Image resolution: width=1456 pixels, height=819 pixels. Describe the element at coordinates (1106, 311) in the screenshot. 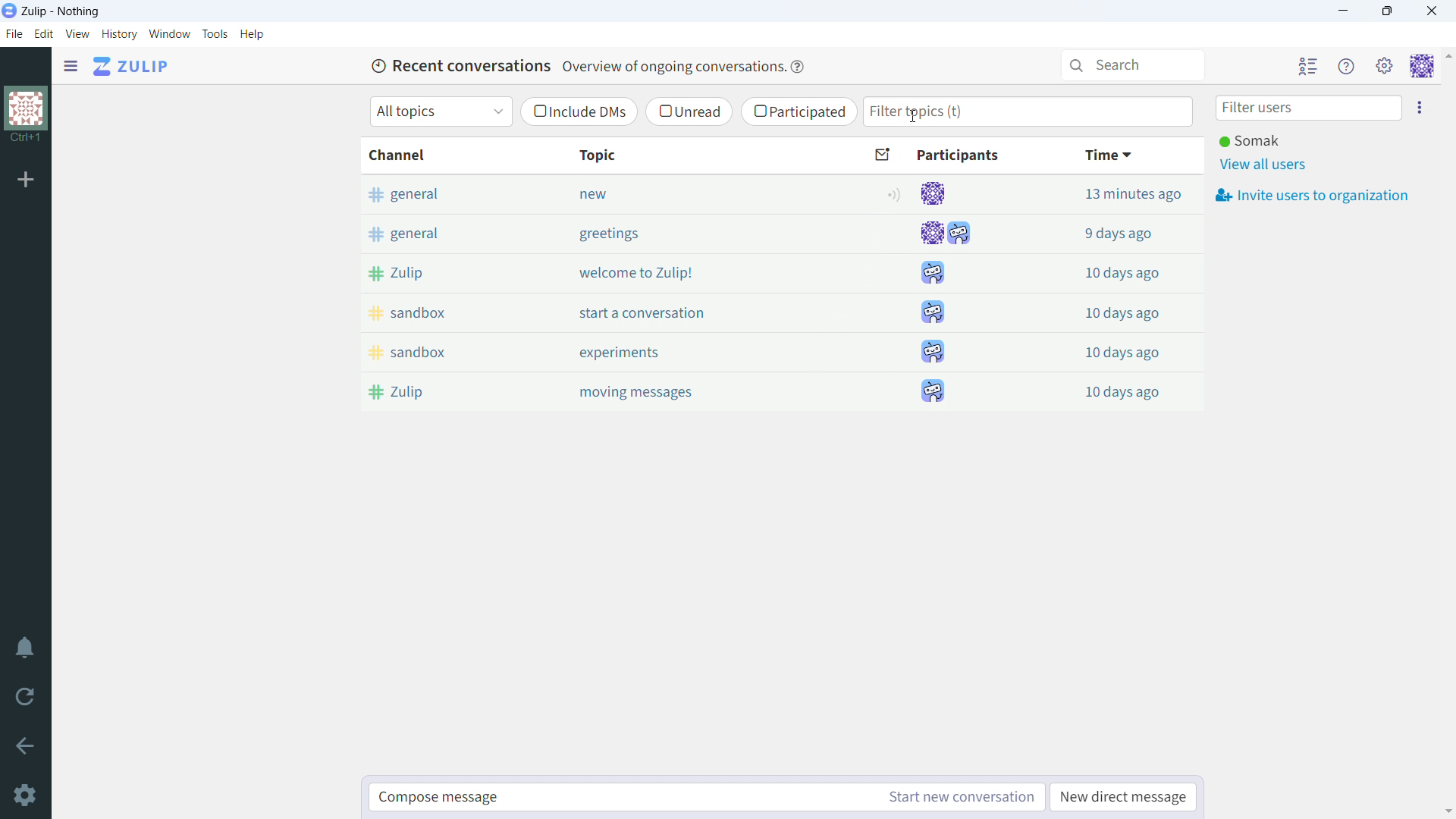

I see `10 days ago` at that location.